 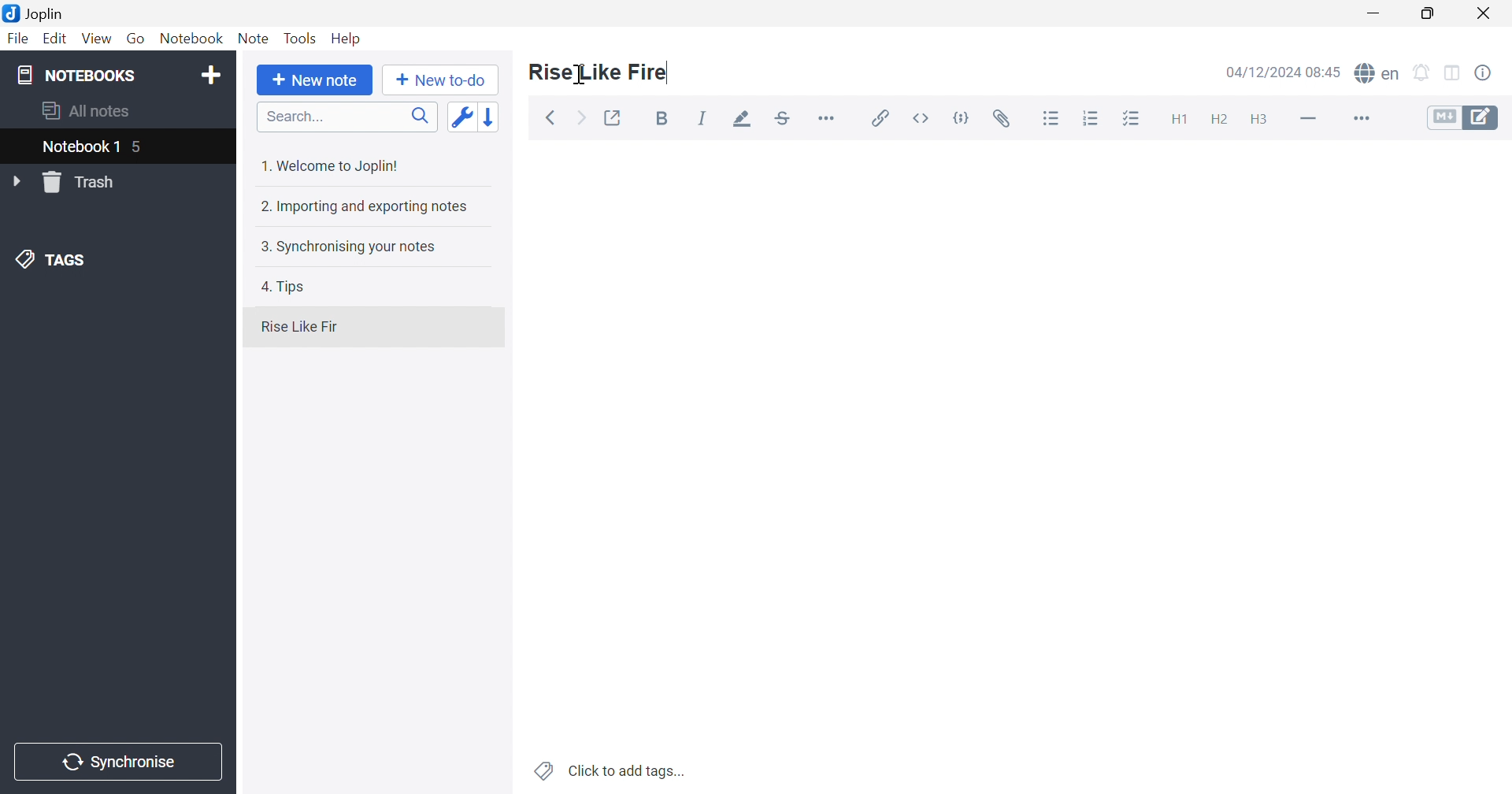 I want to click on Horizontal line, so click(x=1308, y=120).